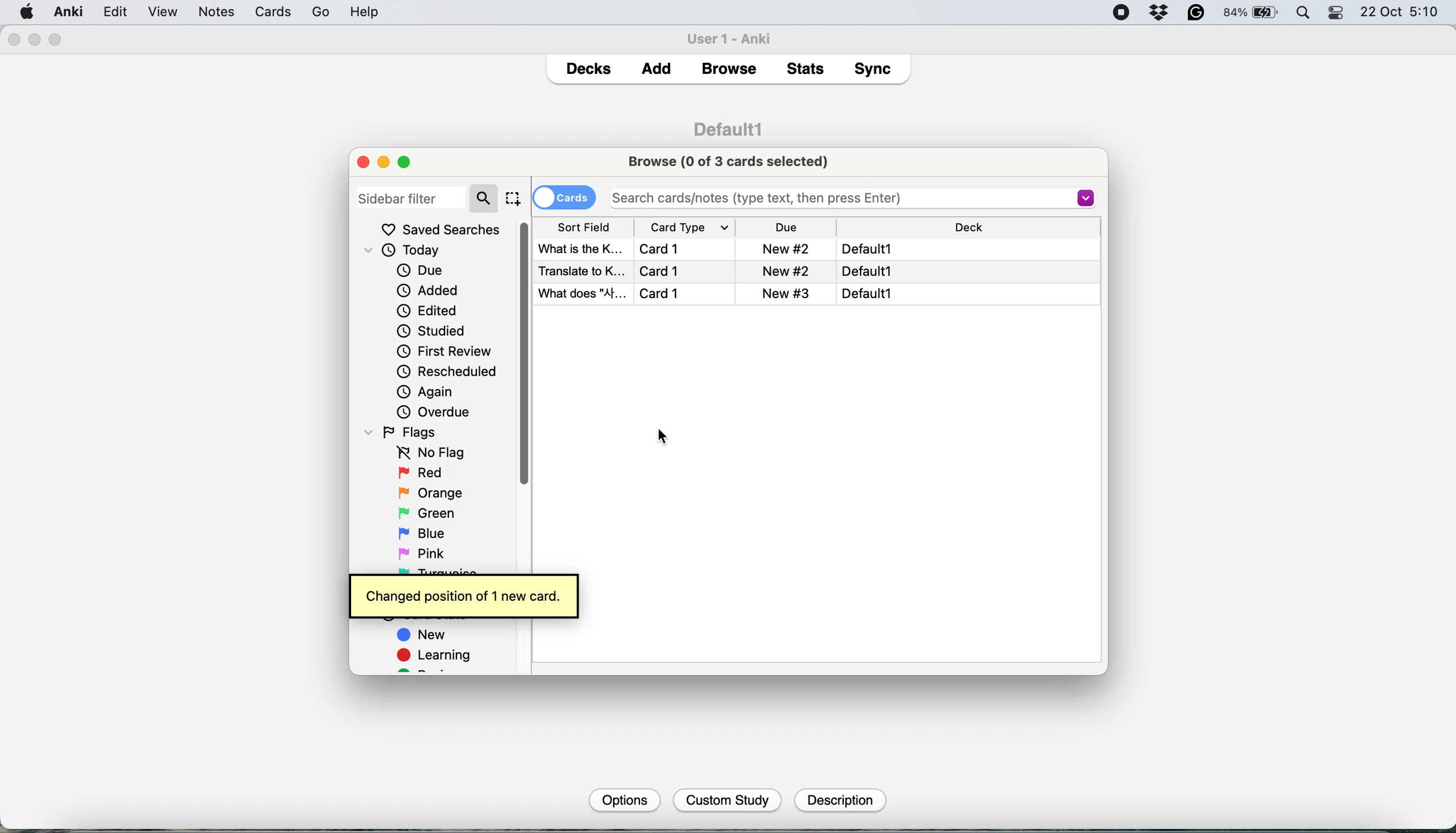 The height and width of the screenshot is (833, 1456). What do you see at coordinates (787, 293) in the screenshot?
I see `New #2` at bounding box center [787, 293].